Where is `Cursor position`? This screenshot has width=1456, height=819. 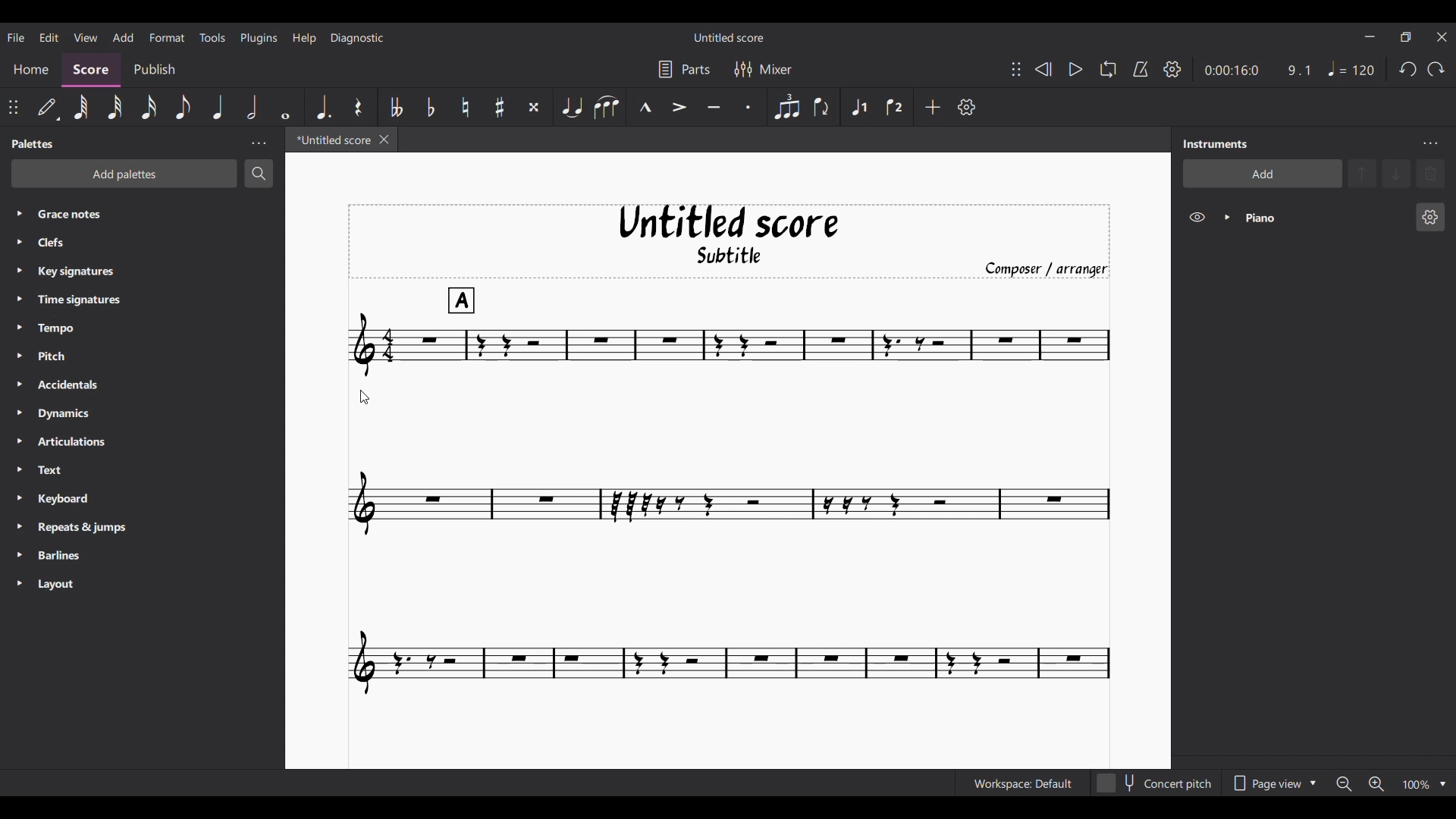 Cursor position is located at coordinates (365, 397).